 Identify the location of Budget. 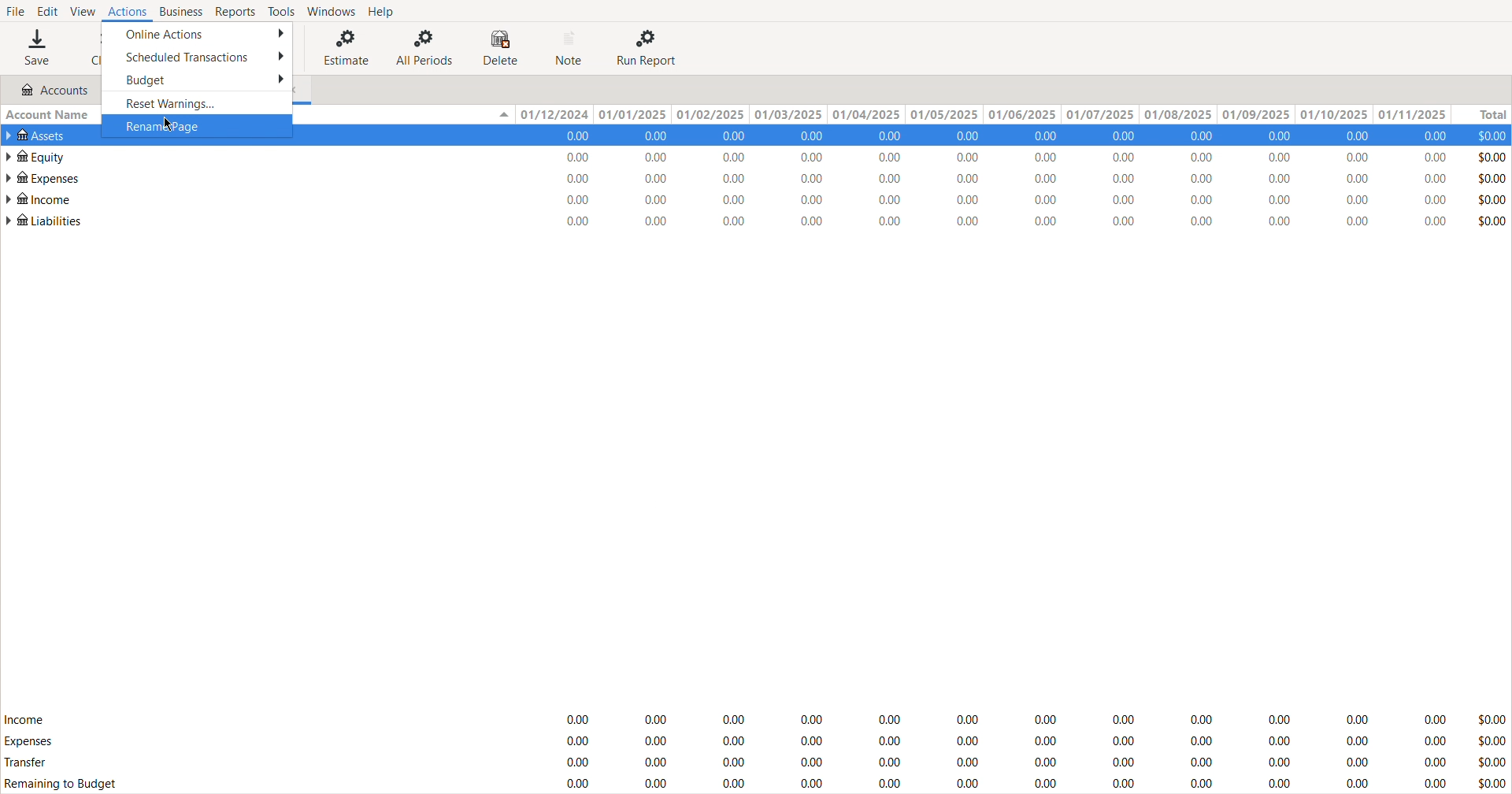
(195, 78).